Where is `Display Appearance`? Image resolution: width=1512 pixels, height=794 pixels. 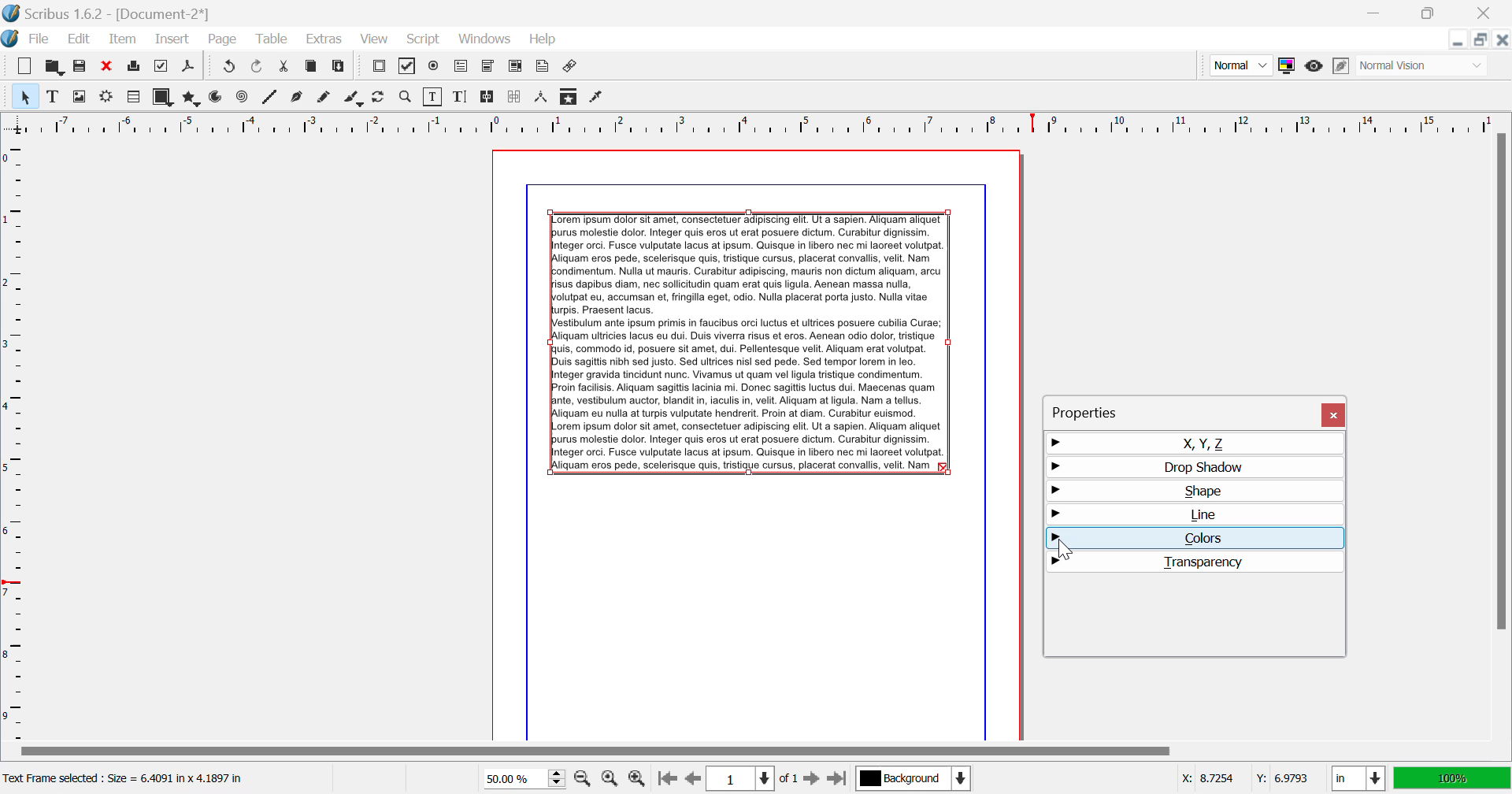
Display Appearance is located at coordinates (1452, 778).